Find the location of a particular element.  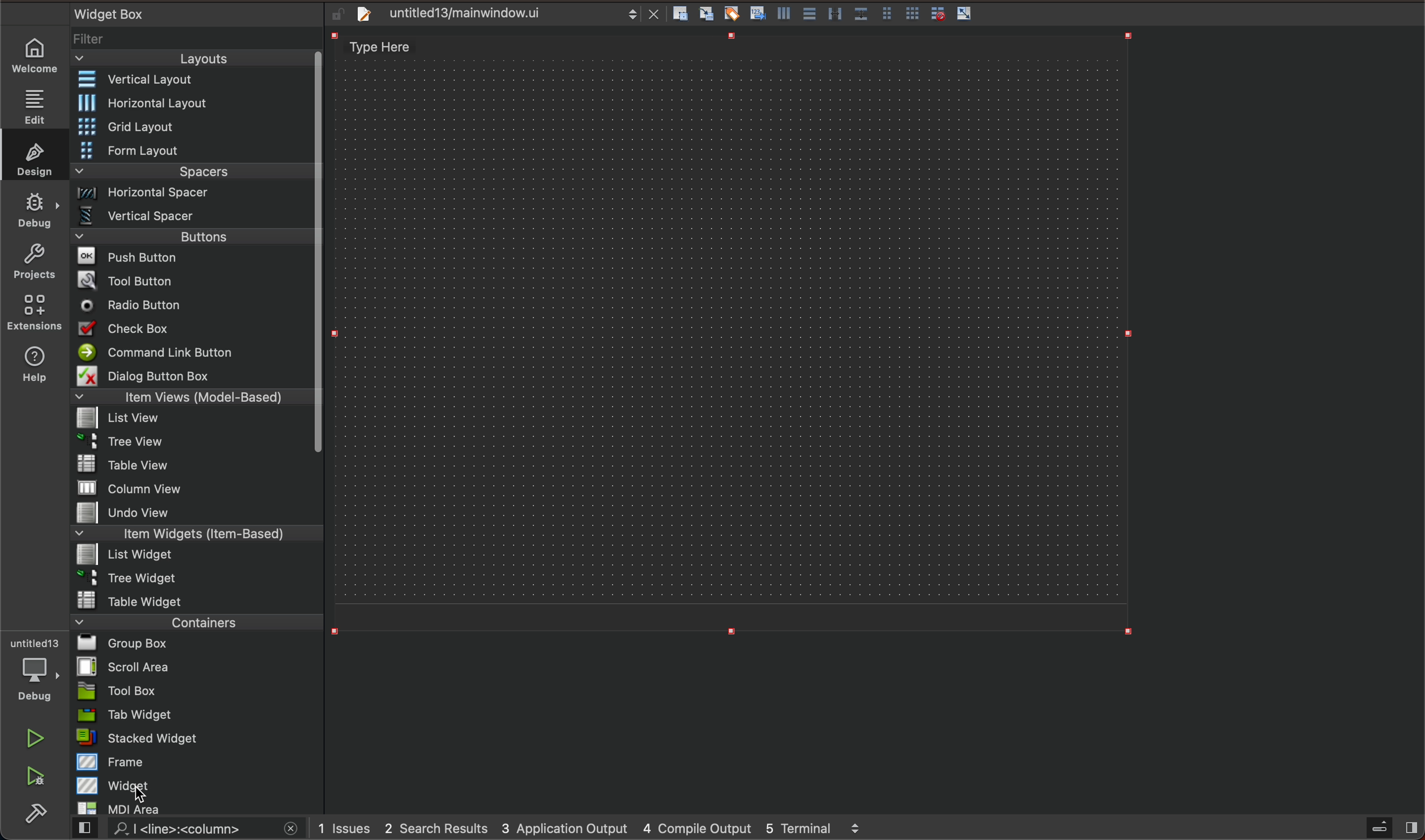

extensions is located at coordinates (36, 312).